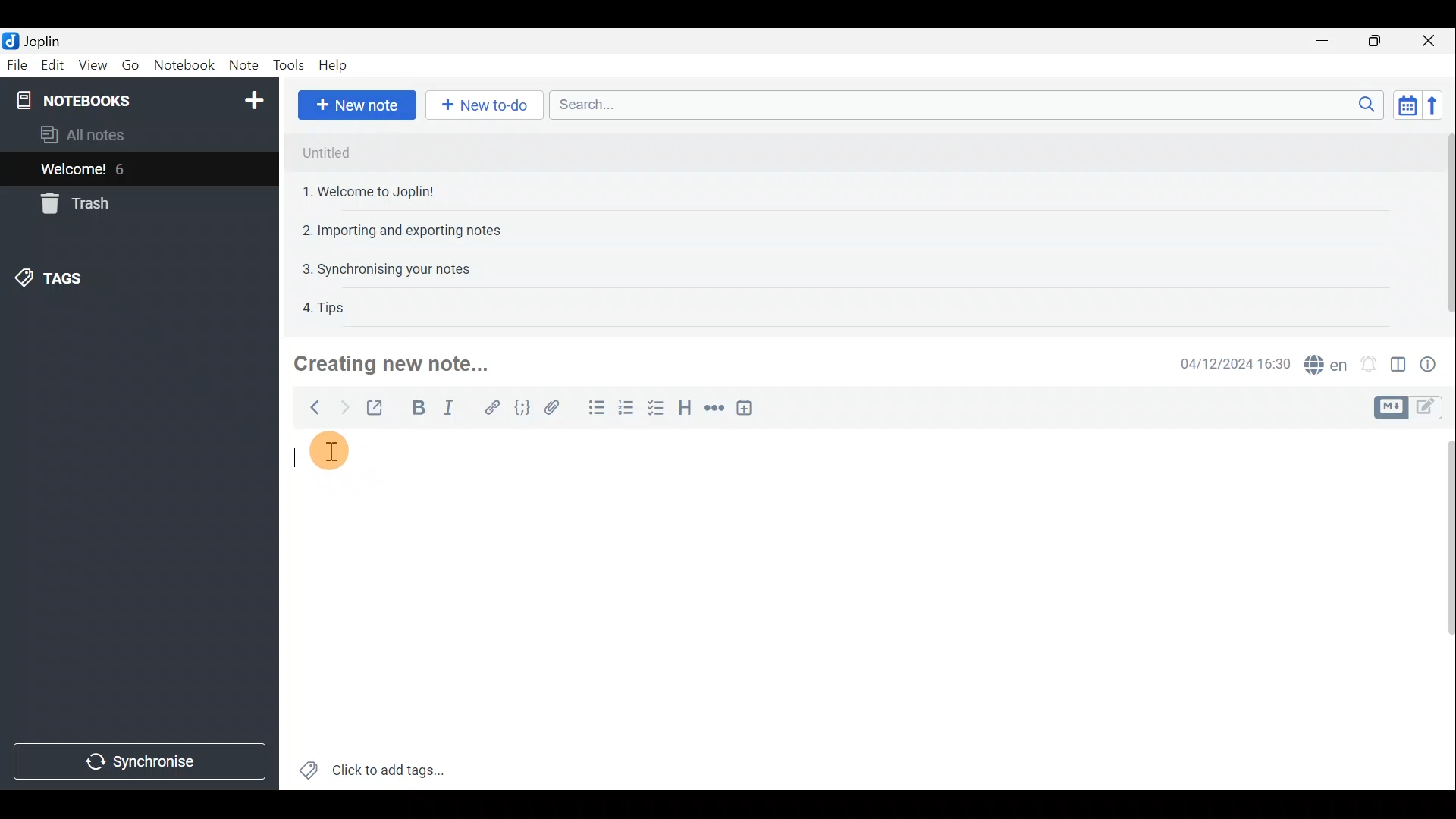 The image size is (1456, 819). Describe the element at coordinates (53, 65) in the screenshot. I see `Edit` at that location.